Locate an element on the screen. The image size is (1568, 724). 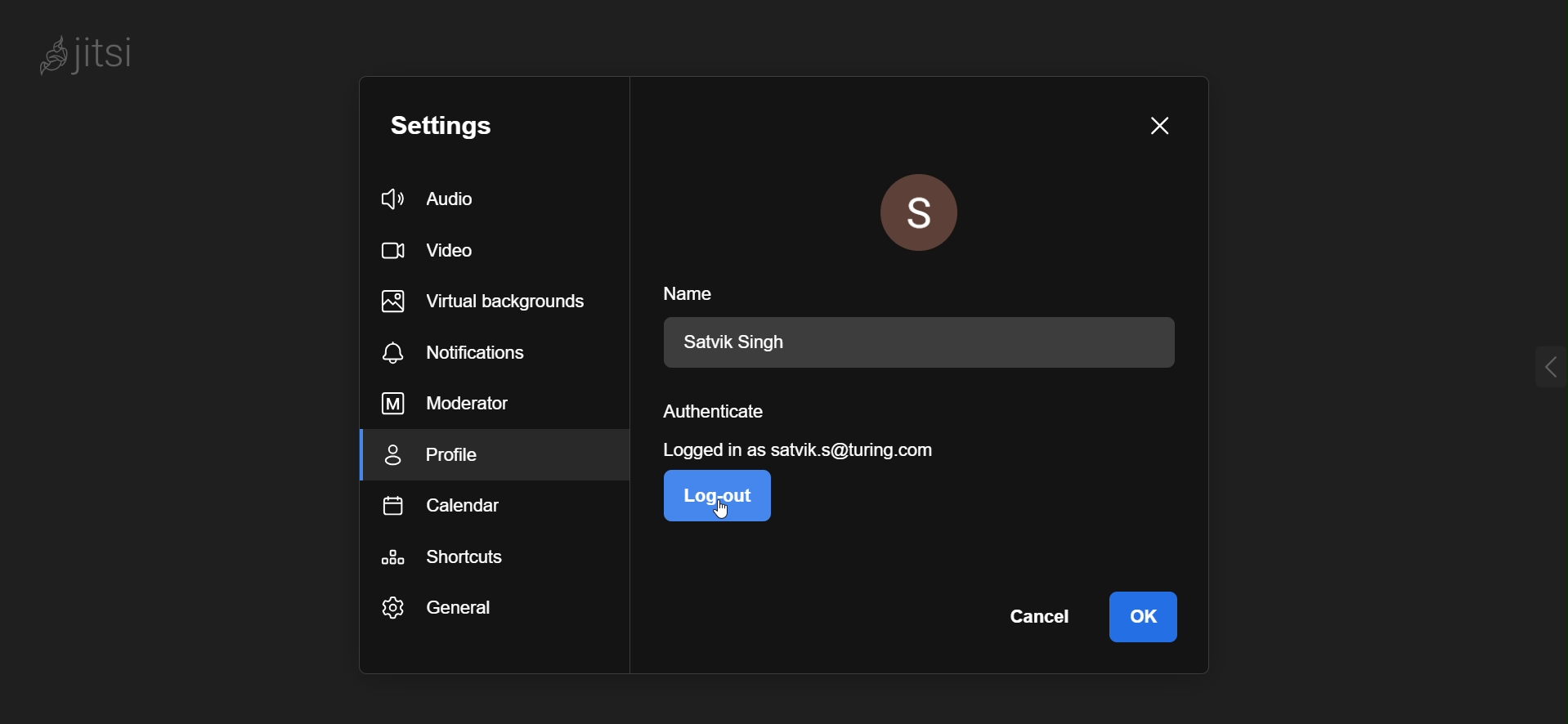
video is located at coordinates (434, 253).